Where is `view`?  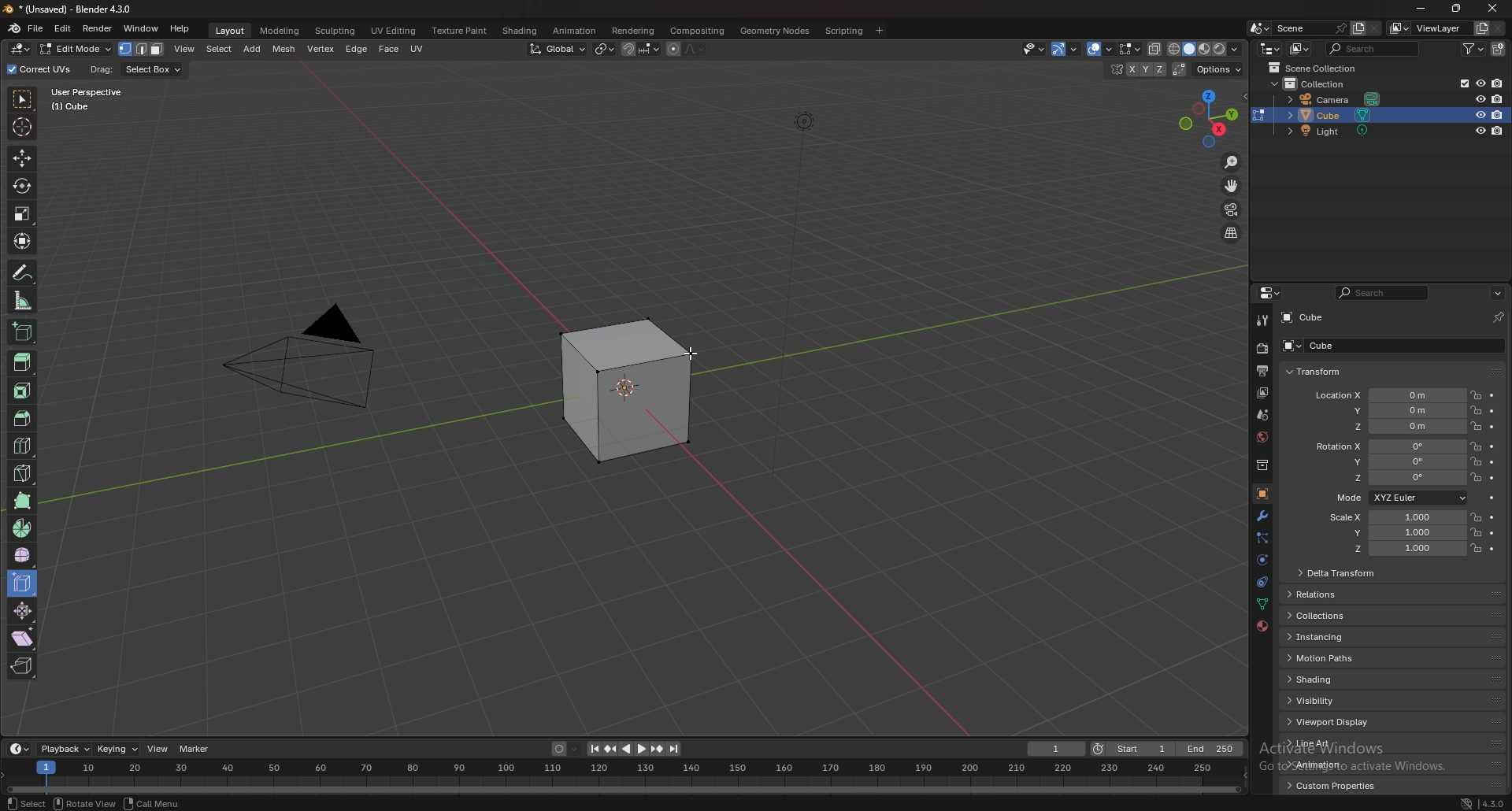
view is located at coordinates (157, 747).